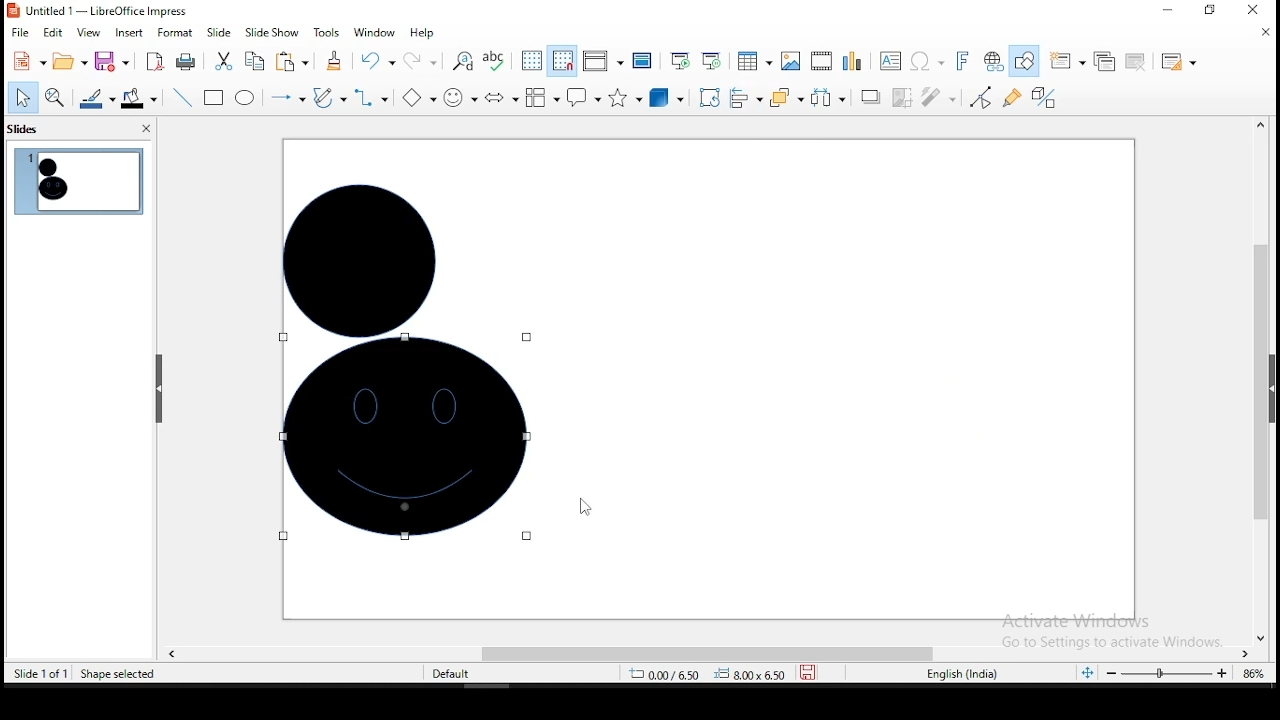 The width and height of the screenshot is (1280, 720). What do you see at coordinates (852, 60) in the screenshot?
I see `insert chart` at bounding box center [852, 60].